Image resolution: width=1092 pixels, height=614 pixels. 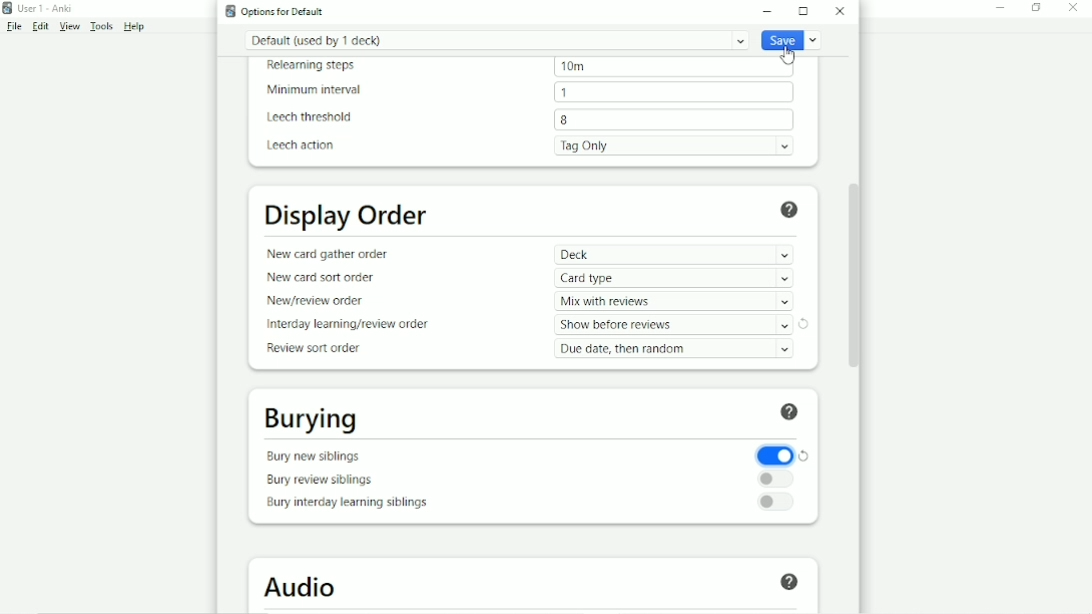 What do you see at coordinates (677, 349) in the screenshot?
I see `Due date, then random` at bounding box center [677, 349].